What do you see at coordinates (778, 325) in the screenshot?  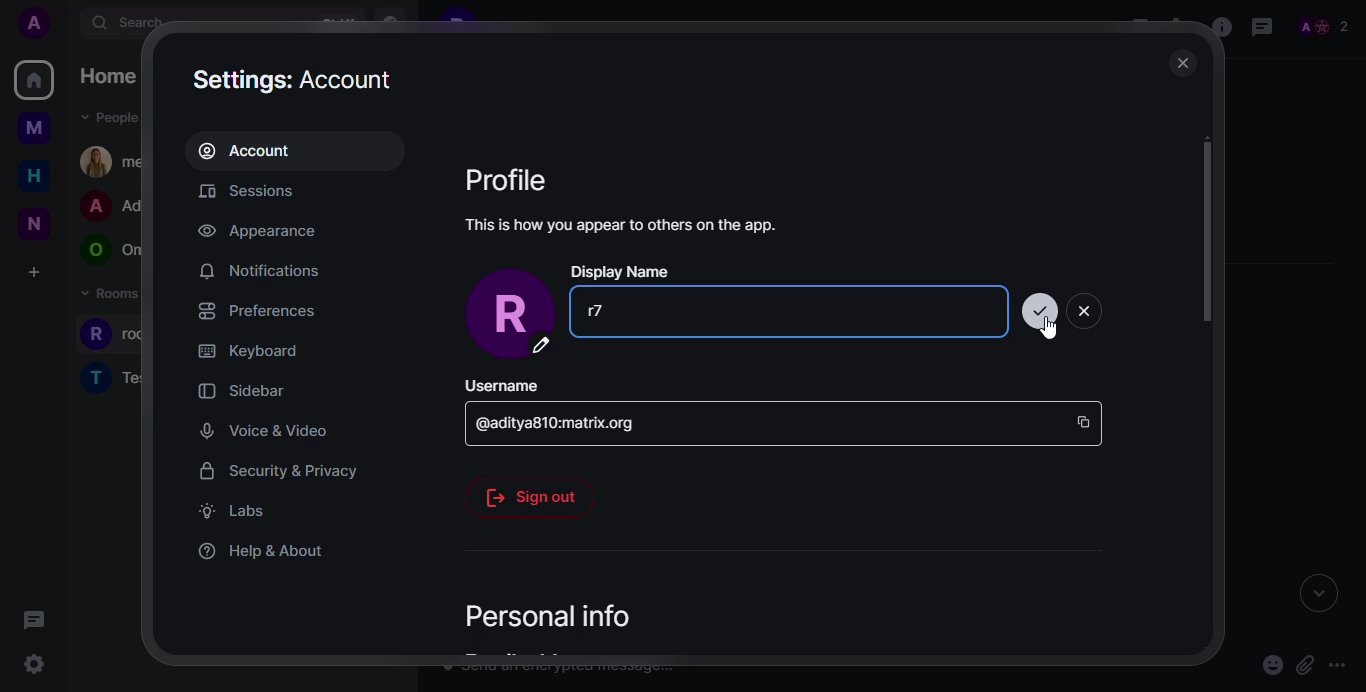 I see `Dispay name space` at bounding box center [778, 325].